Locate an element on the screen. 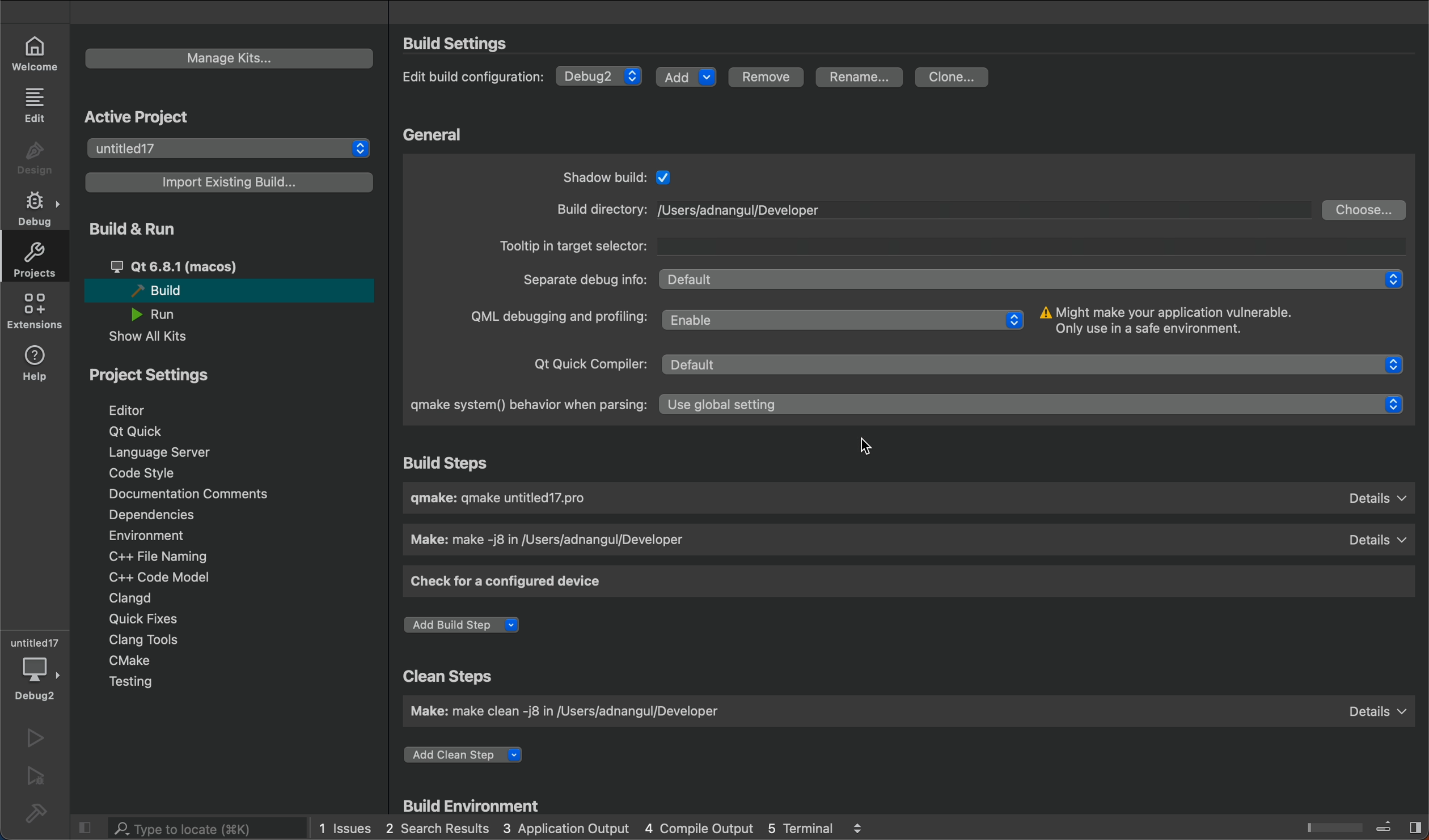 This screenshot has height=840, width=1429. testing is located at coordinates (144, 685).